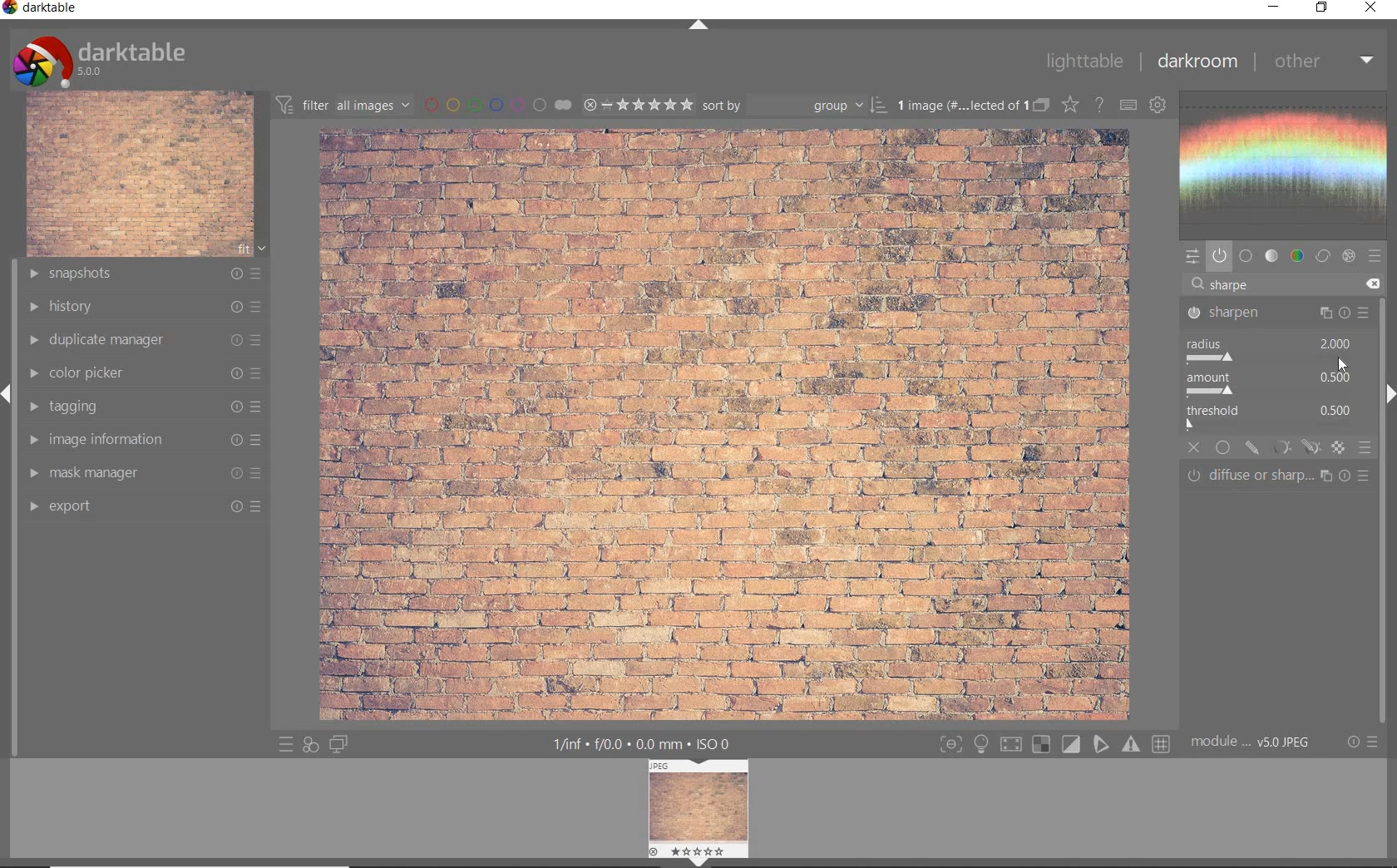 This screenshot has height=868, width=1397. What do you see at coordinates (144, 472) in the screenshot?
I see `mask manager` at bounding box center [144, 472].